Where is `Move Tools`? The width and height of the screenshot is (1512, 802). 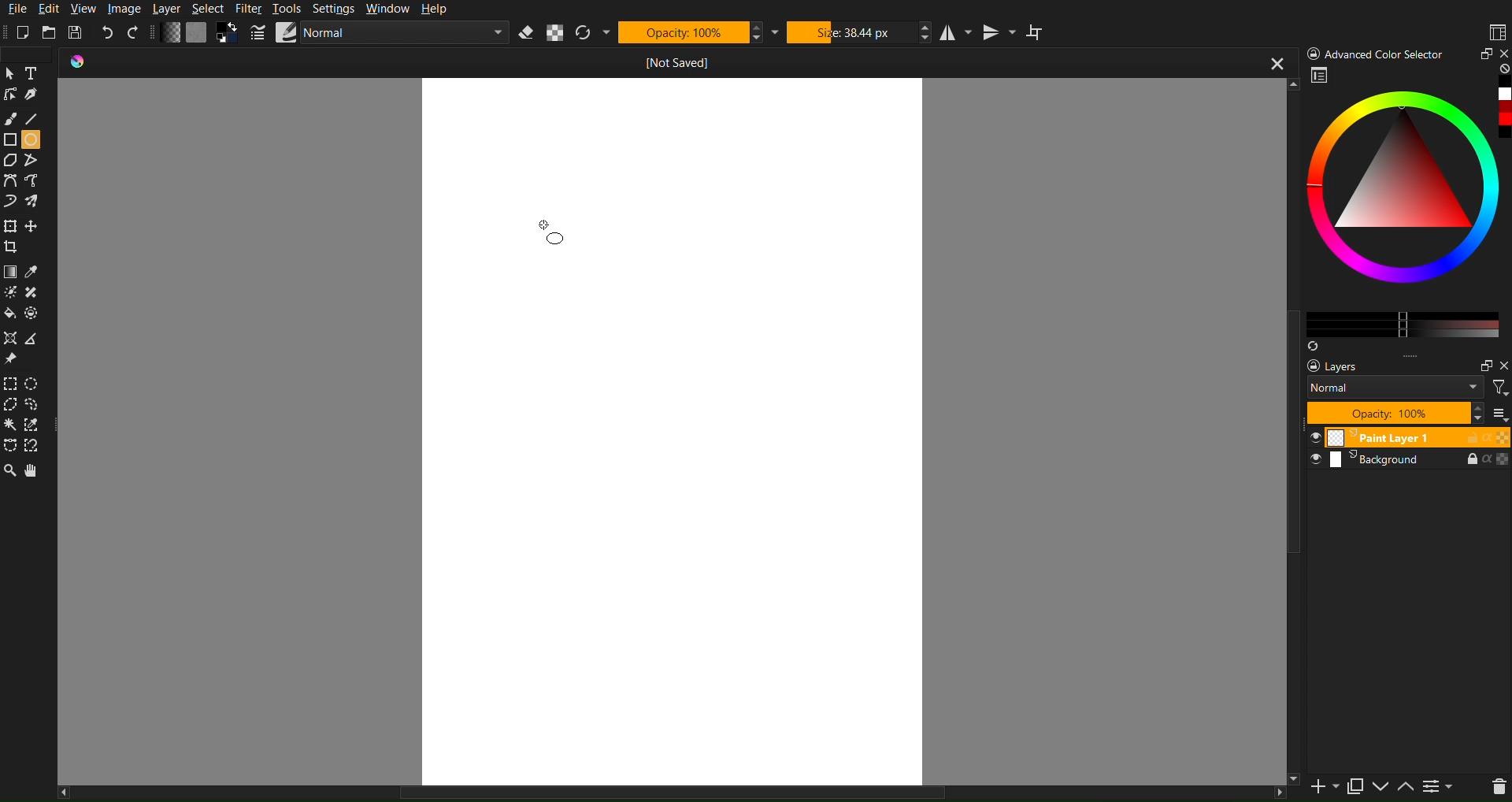 Move Tools is located at coordinates (9, 225).